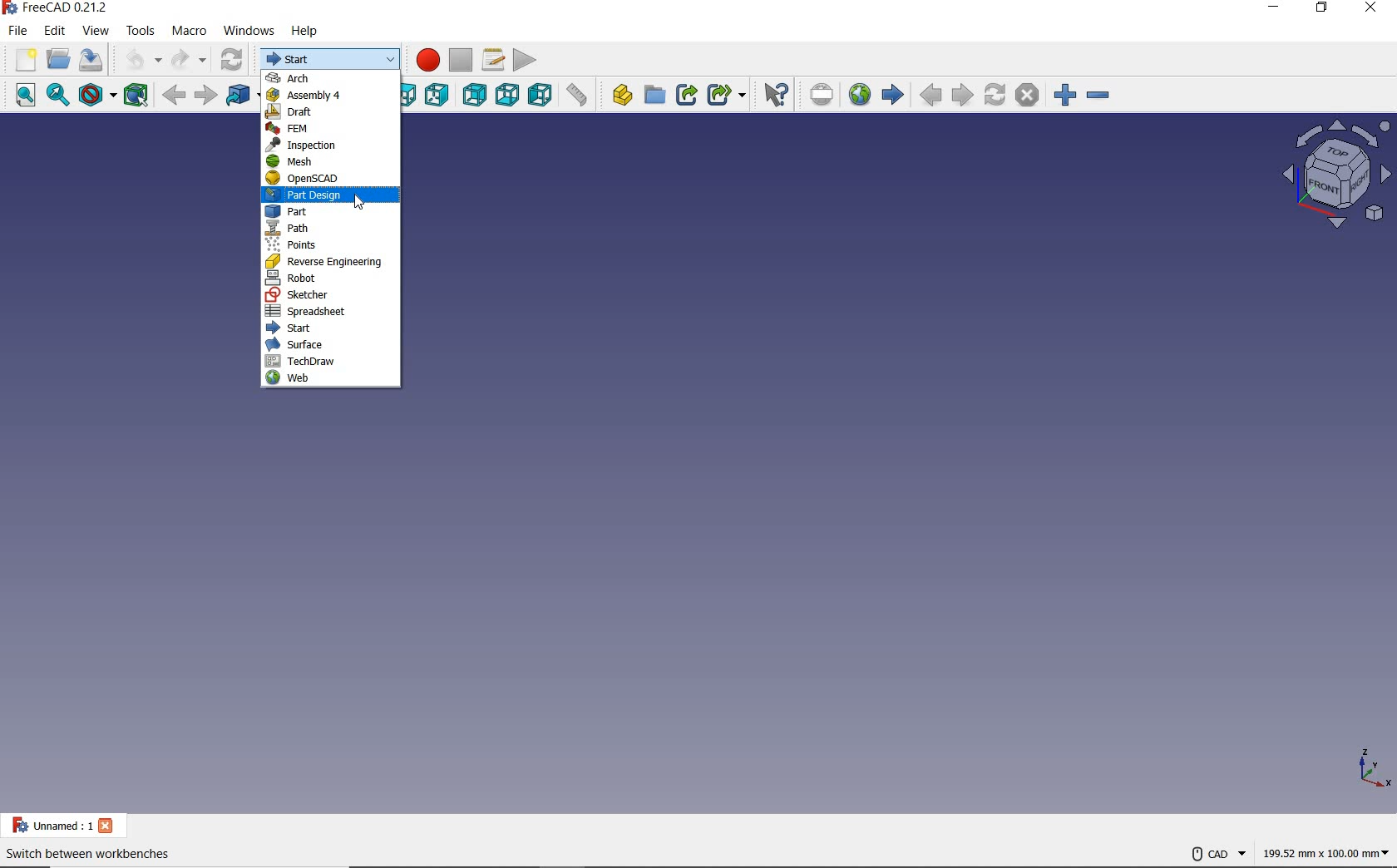 The width and height of the screenshot is (1397, 868). What do you see at coordinates (331, 160) in the screenshot?
I see `MESH` at bounding box center [331, 160].